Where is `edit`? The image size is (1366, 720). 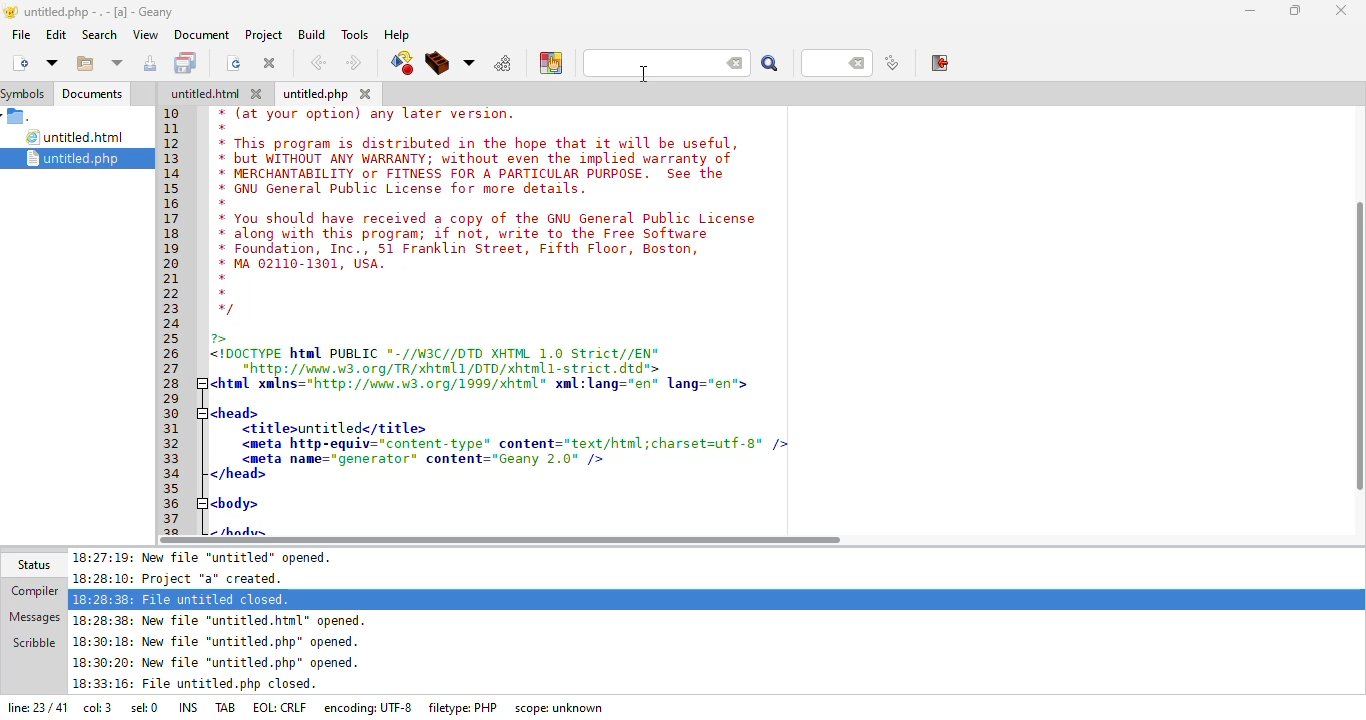
edit is located at coordinates (55, 34).